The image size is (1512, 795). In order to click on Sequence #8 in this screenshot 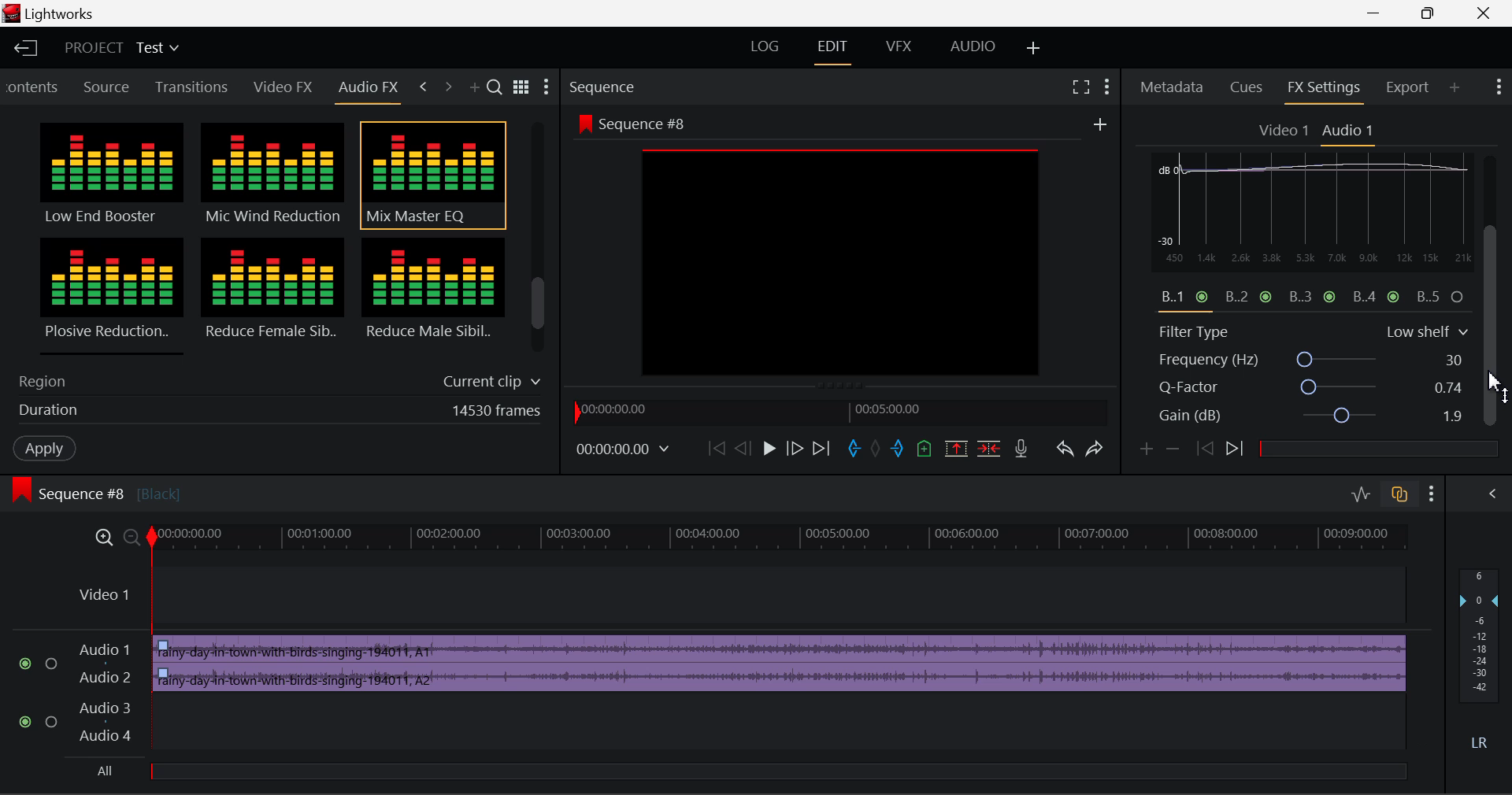, I will do `click(122, 486)`.